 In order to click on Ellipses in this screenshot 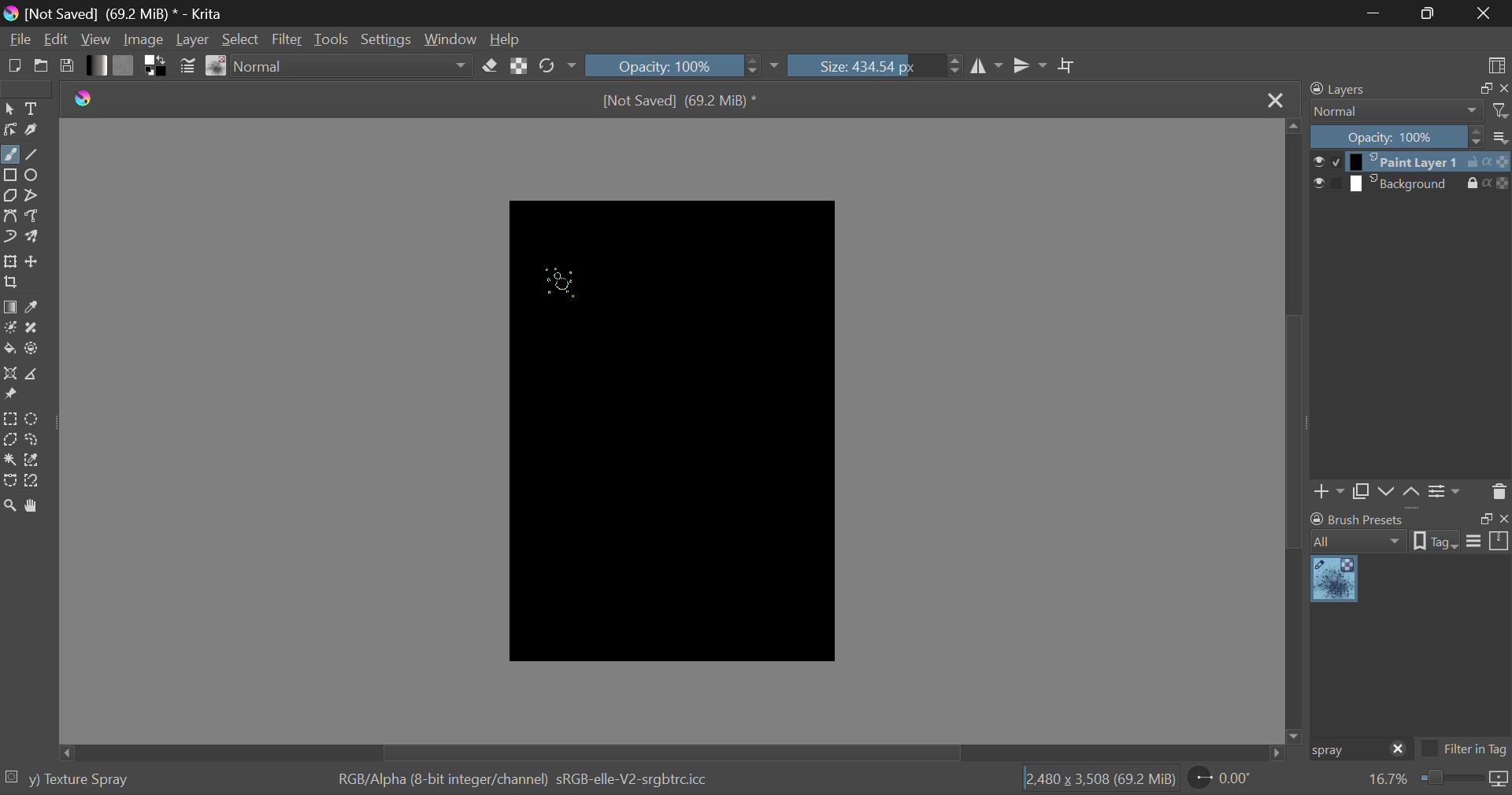, I will do `click(34, 176)`.